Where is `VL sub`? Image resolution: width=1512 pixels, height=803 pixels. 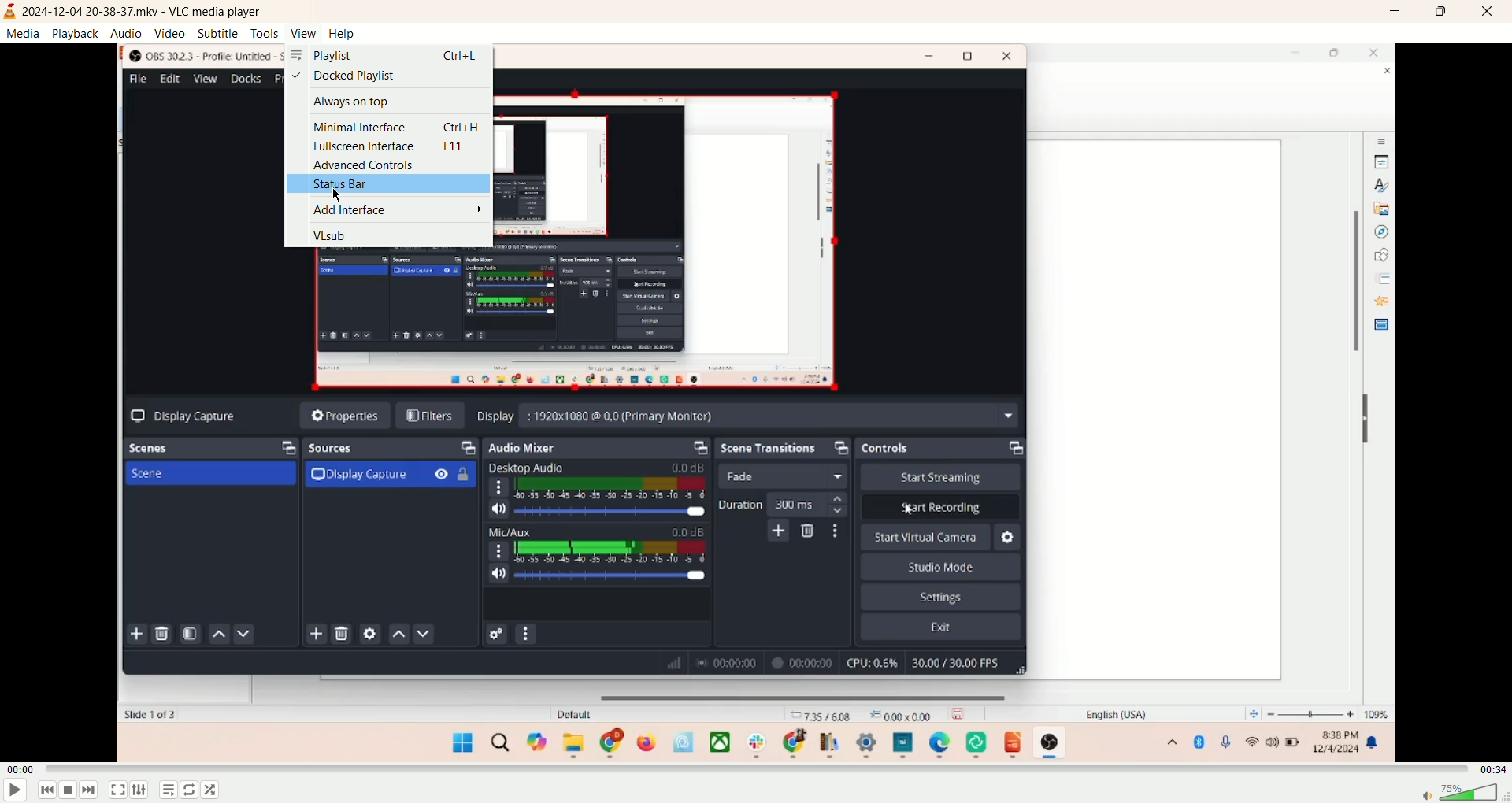
VL sub is located at coordinates (335, 235).